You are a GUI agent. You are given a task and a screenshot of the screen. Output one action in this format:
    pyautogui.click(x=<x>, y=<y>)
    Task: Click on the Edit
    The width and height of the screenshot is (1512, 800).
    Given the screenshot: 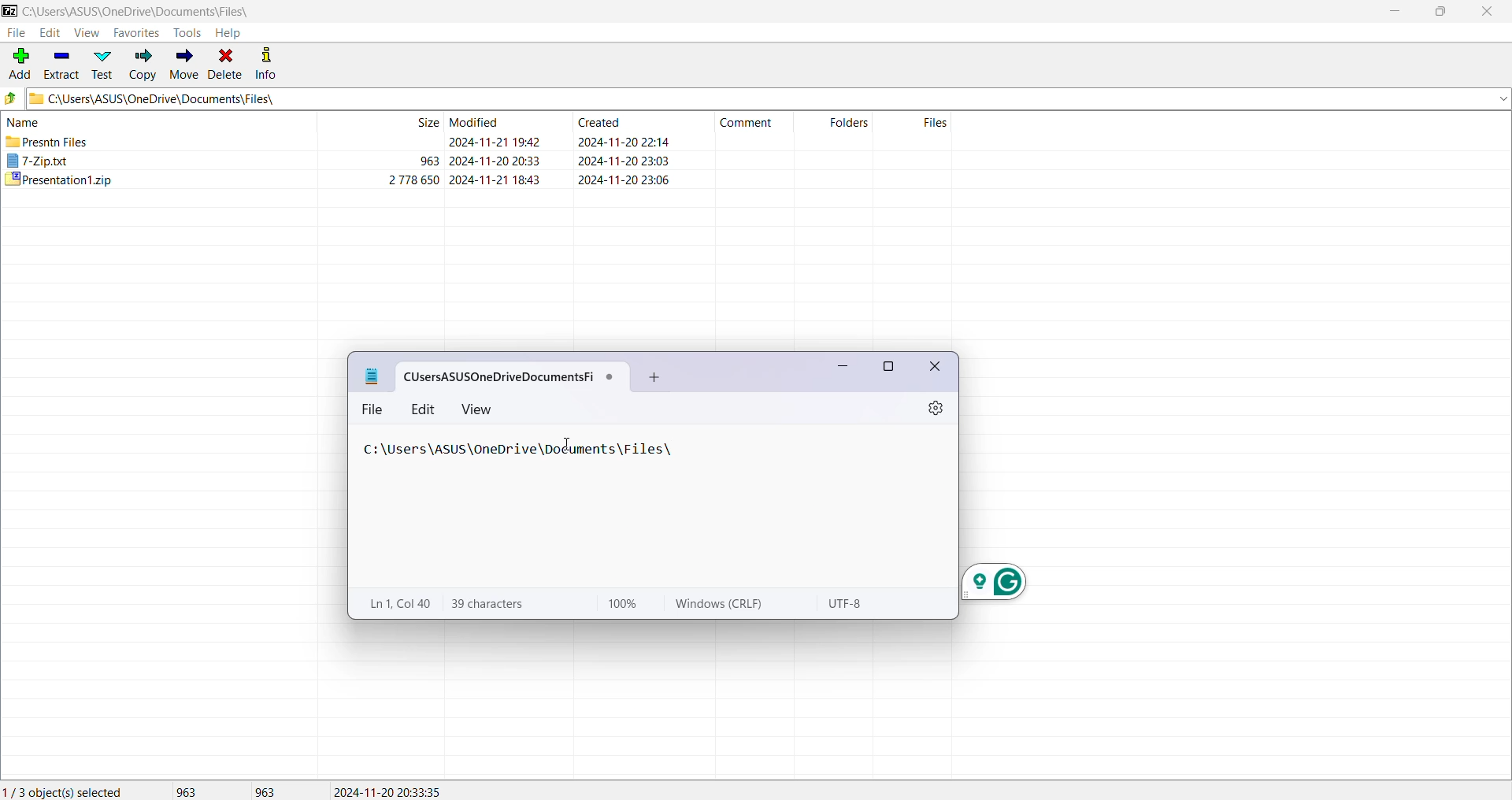 What is the action you would take?
    pyautogui.click(x=424, y=409)
    